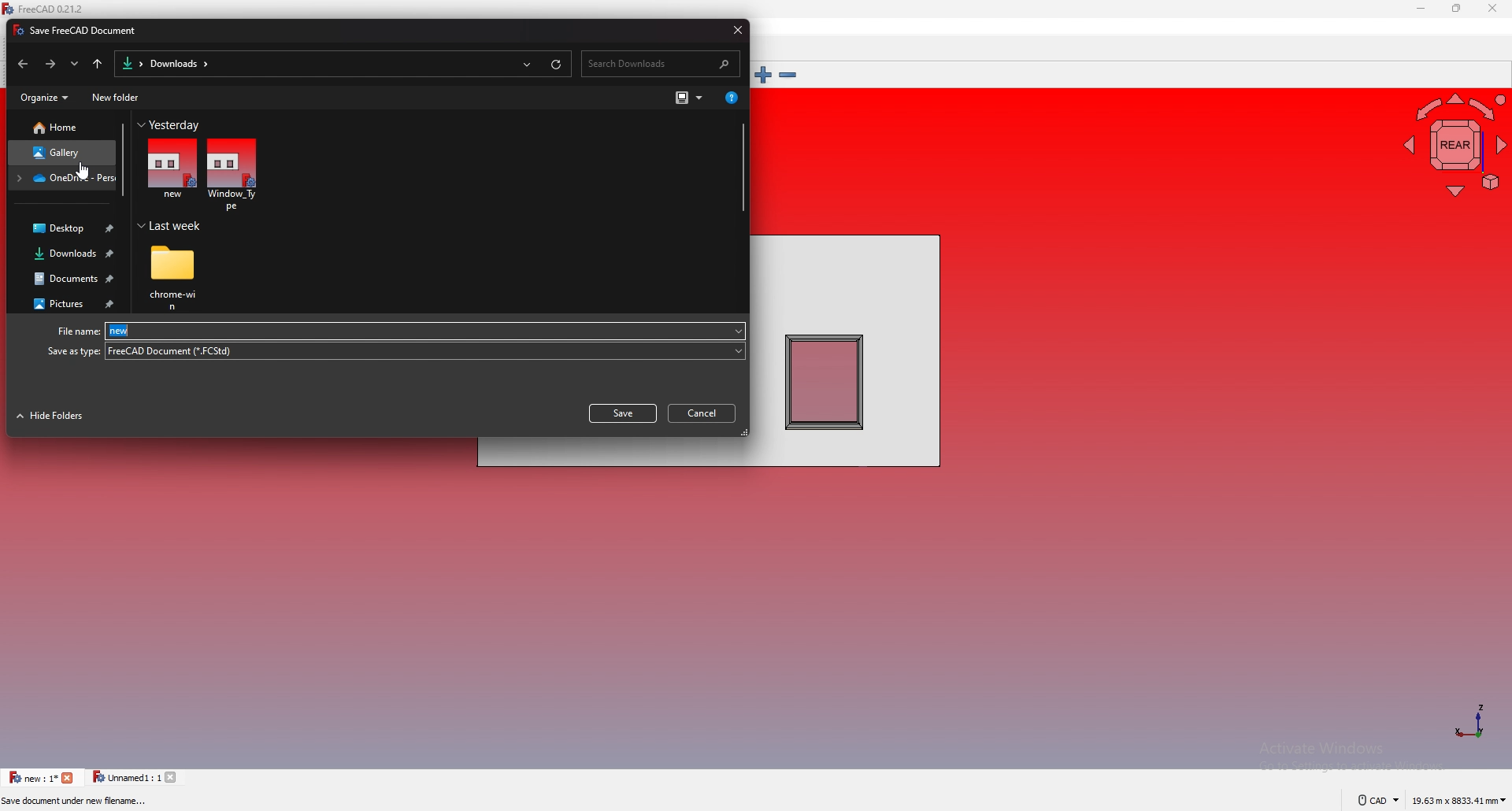  I want to click on close, so click(736, 29).